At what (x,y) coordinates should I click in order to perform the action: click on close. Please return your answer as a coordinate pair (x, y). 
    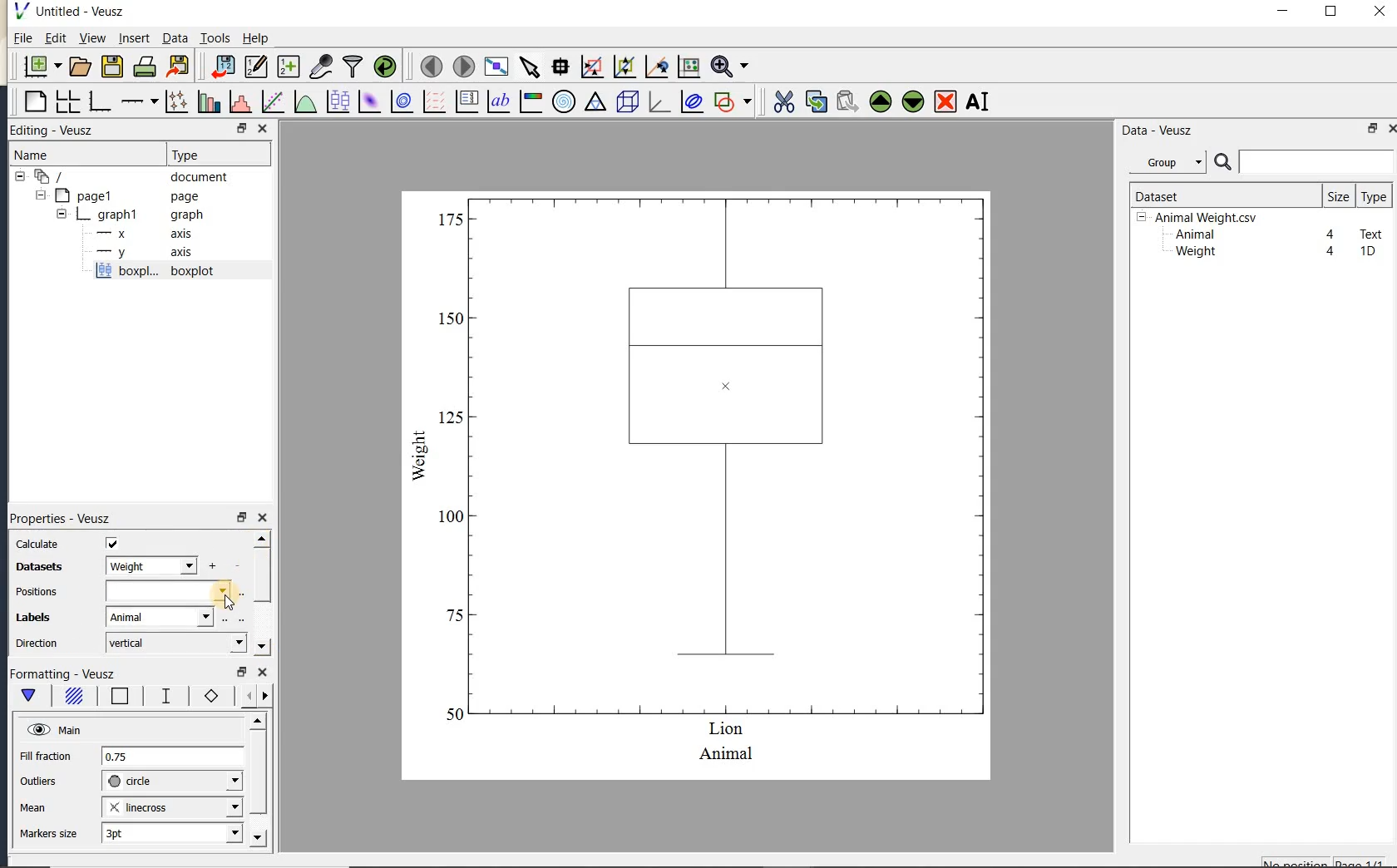
    Looking at the image, I should click on (1391, 129).